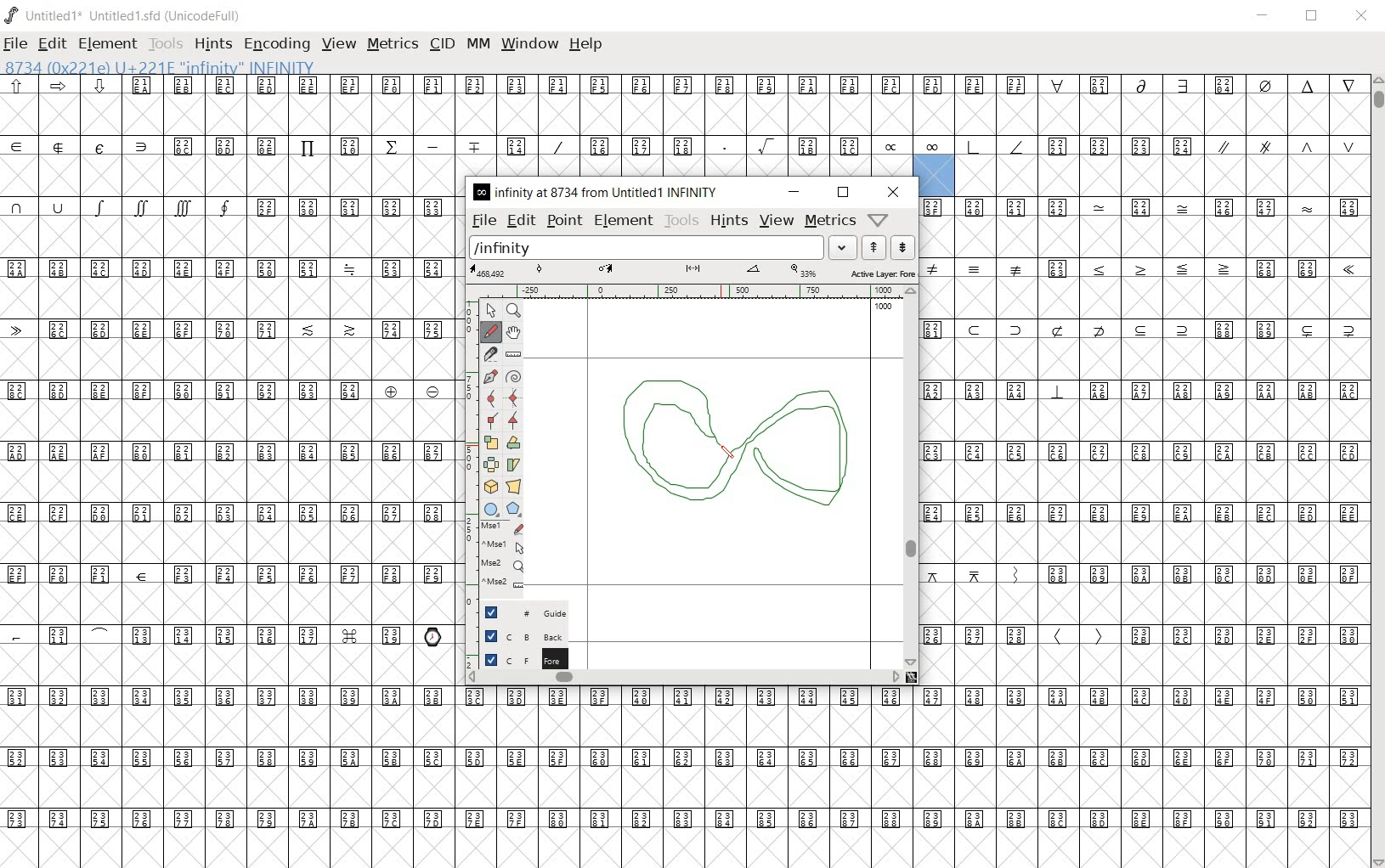  What do you see at coordinates (516, 614) in the screenshot?
I see `guide` at bounding box center [516, 614].